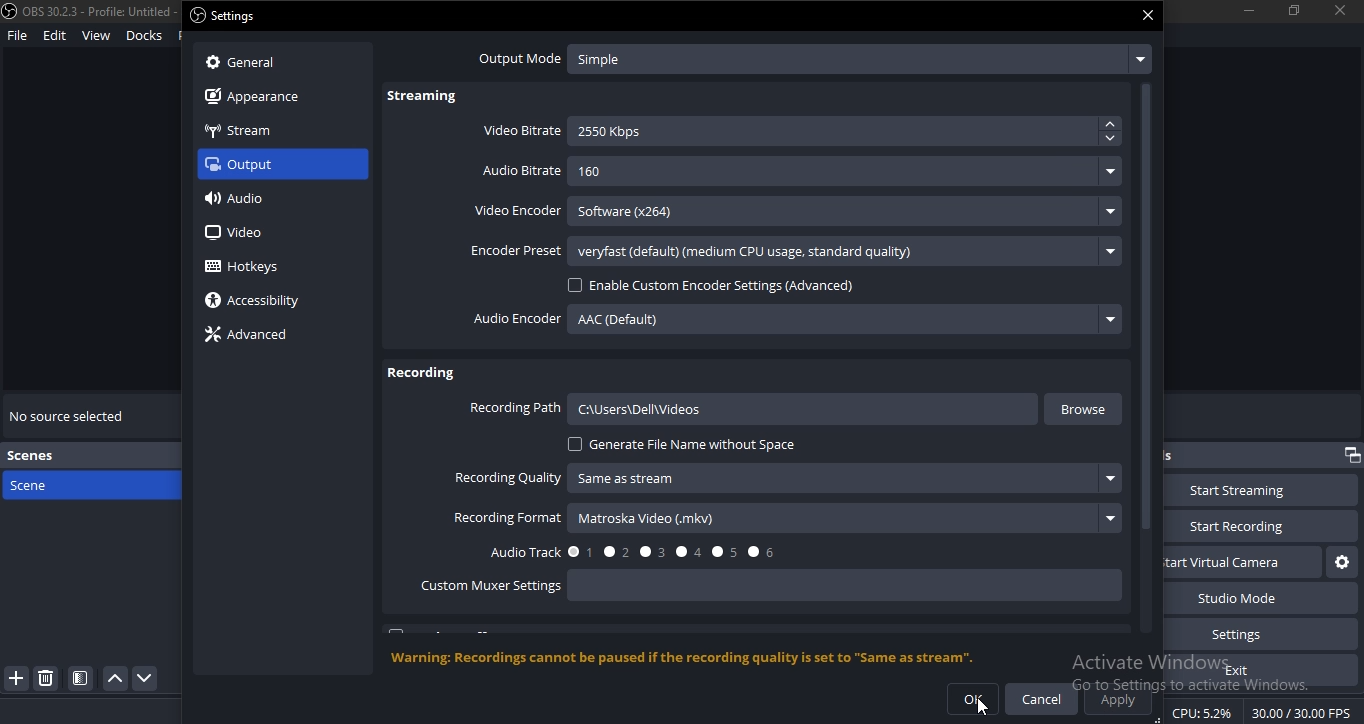 The width and height of the screenshot is (1364, 724). Describe the element at coordinates (848, 518) in the screenshot. I see `matroska Video (mkv)` at that location.